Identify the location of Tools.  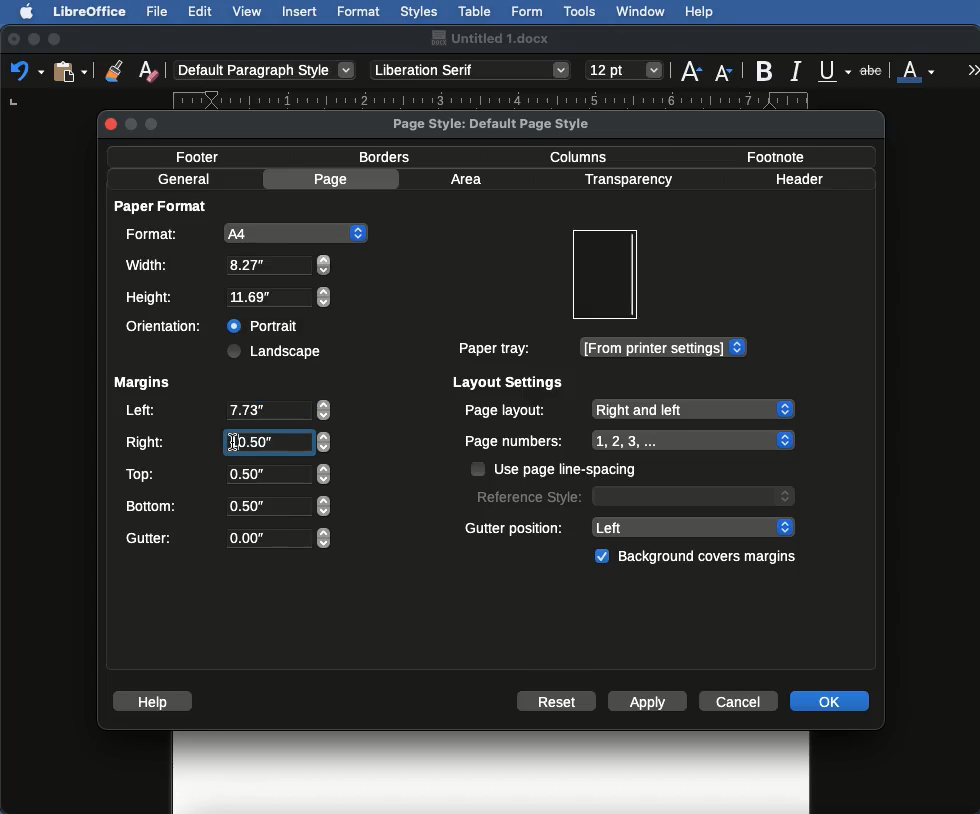
(581, 12).